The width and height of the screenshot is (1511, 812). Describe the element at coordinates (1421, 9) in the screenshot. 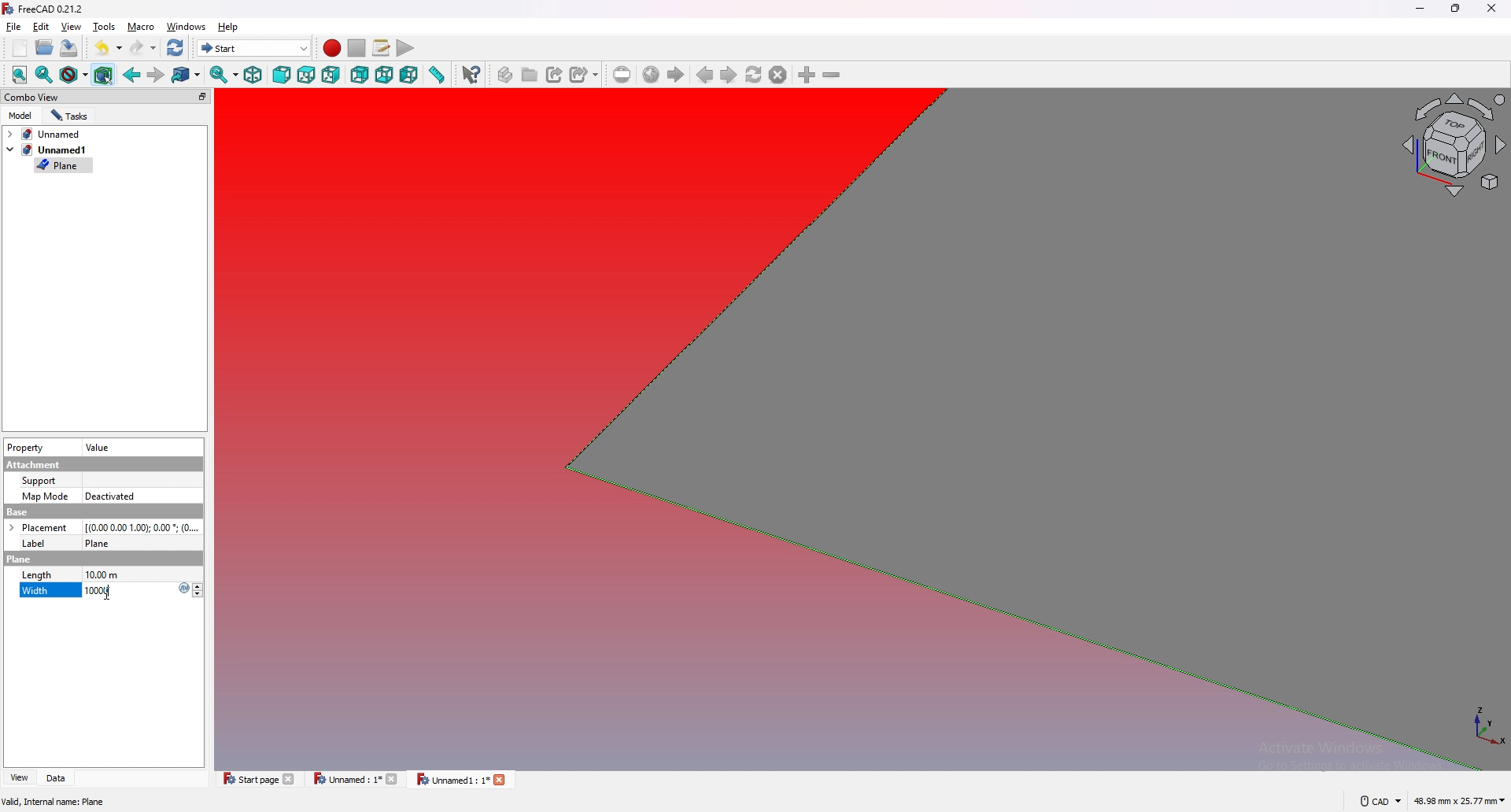

I see `minimize` at that location.